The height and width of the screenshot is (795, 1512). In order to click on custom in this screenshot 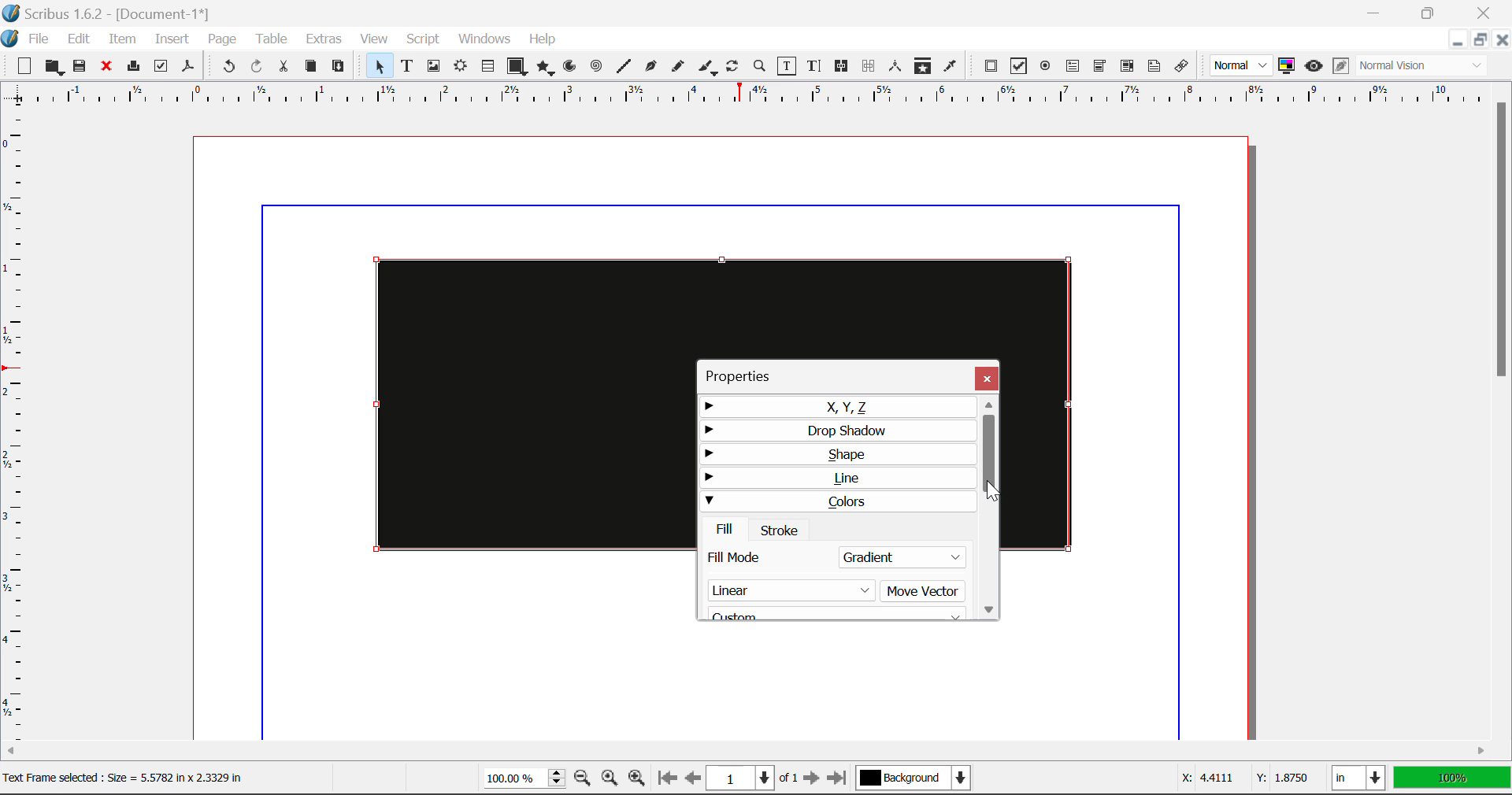, I will do `click(831, 615)`.